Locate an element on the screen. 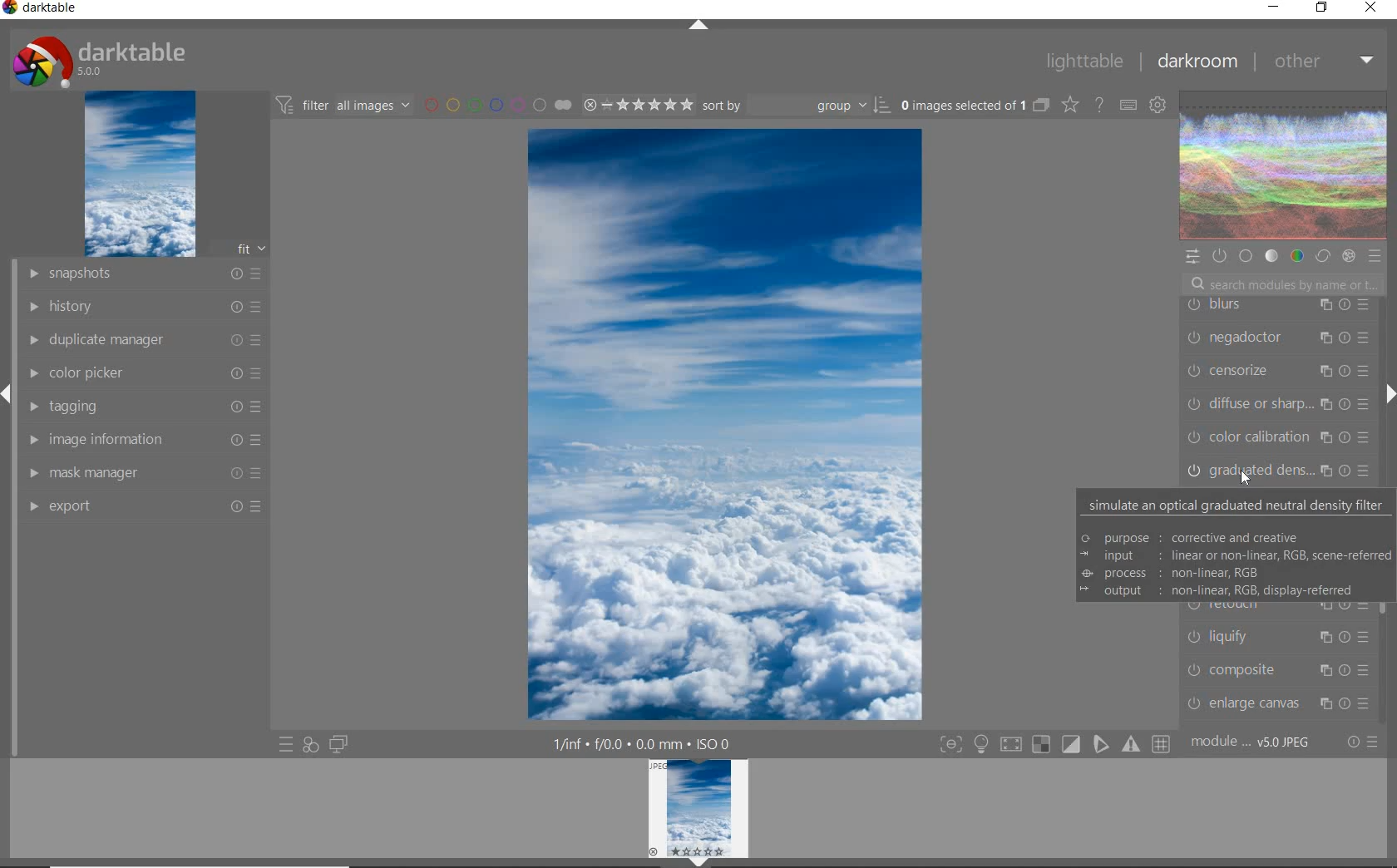  MINIMIZE is located at coordinates (1273, 6).